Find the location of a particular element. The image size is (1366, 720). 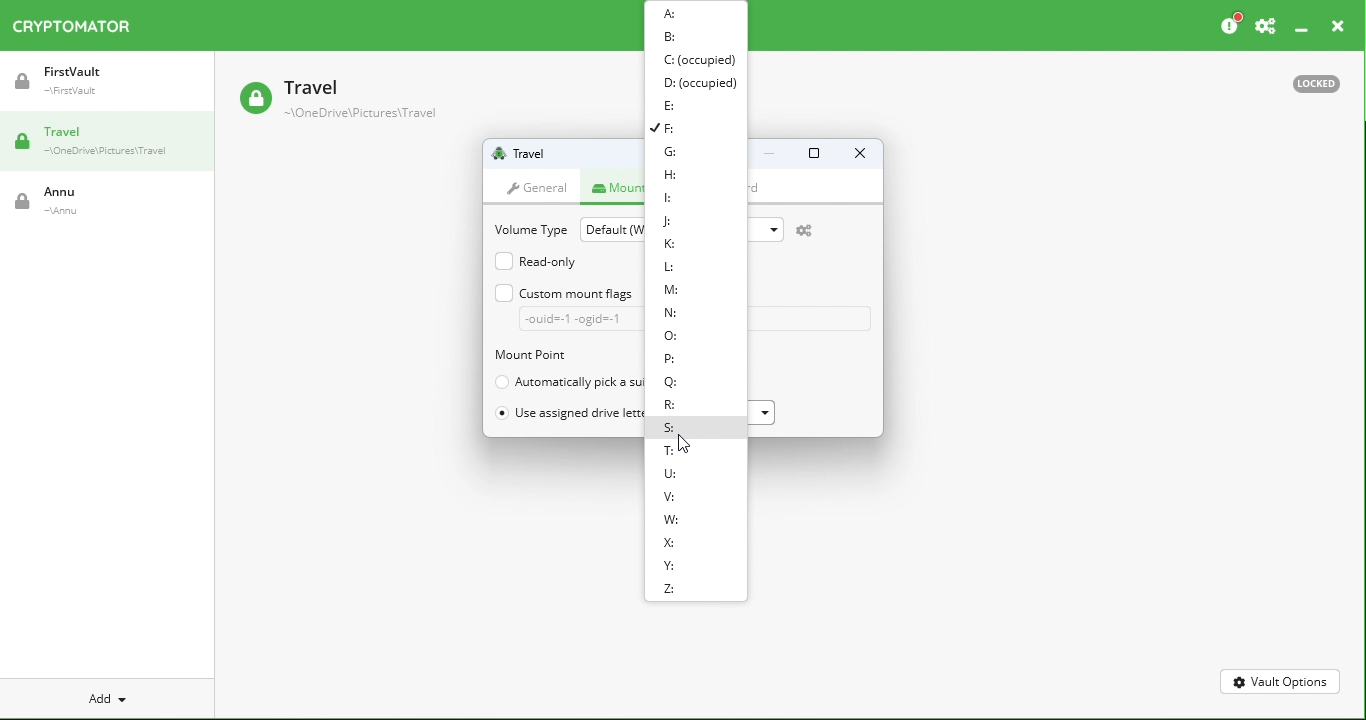

Vault name is located at coordinates (530, 153).